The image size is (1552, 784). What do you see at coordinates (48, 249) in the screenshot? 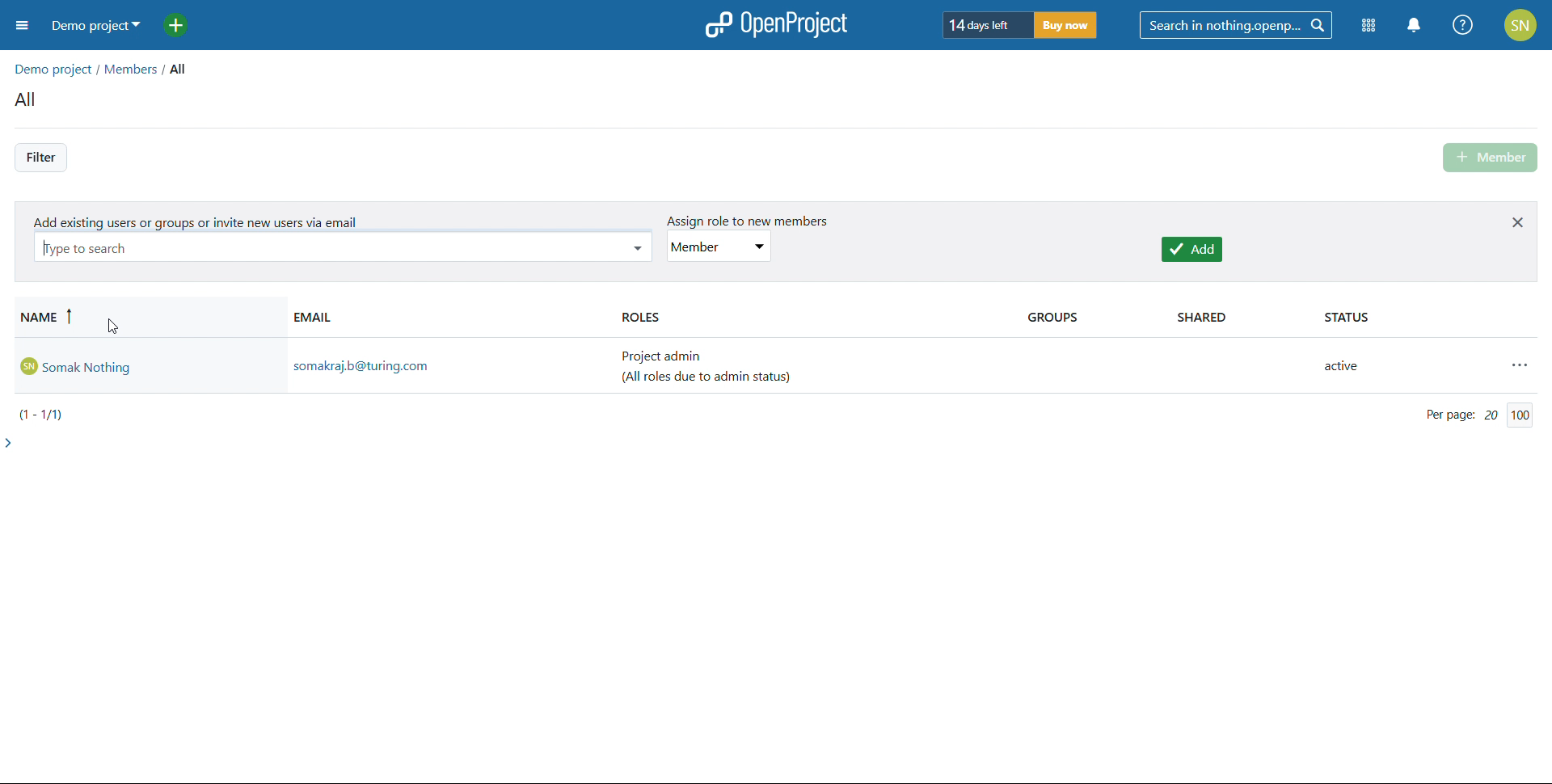
I see `typing cursor` at bounding box center [48, 249].